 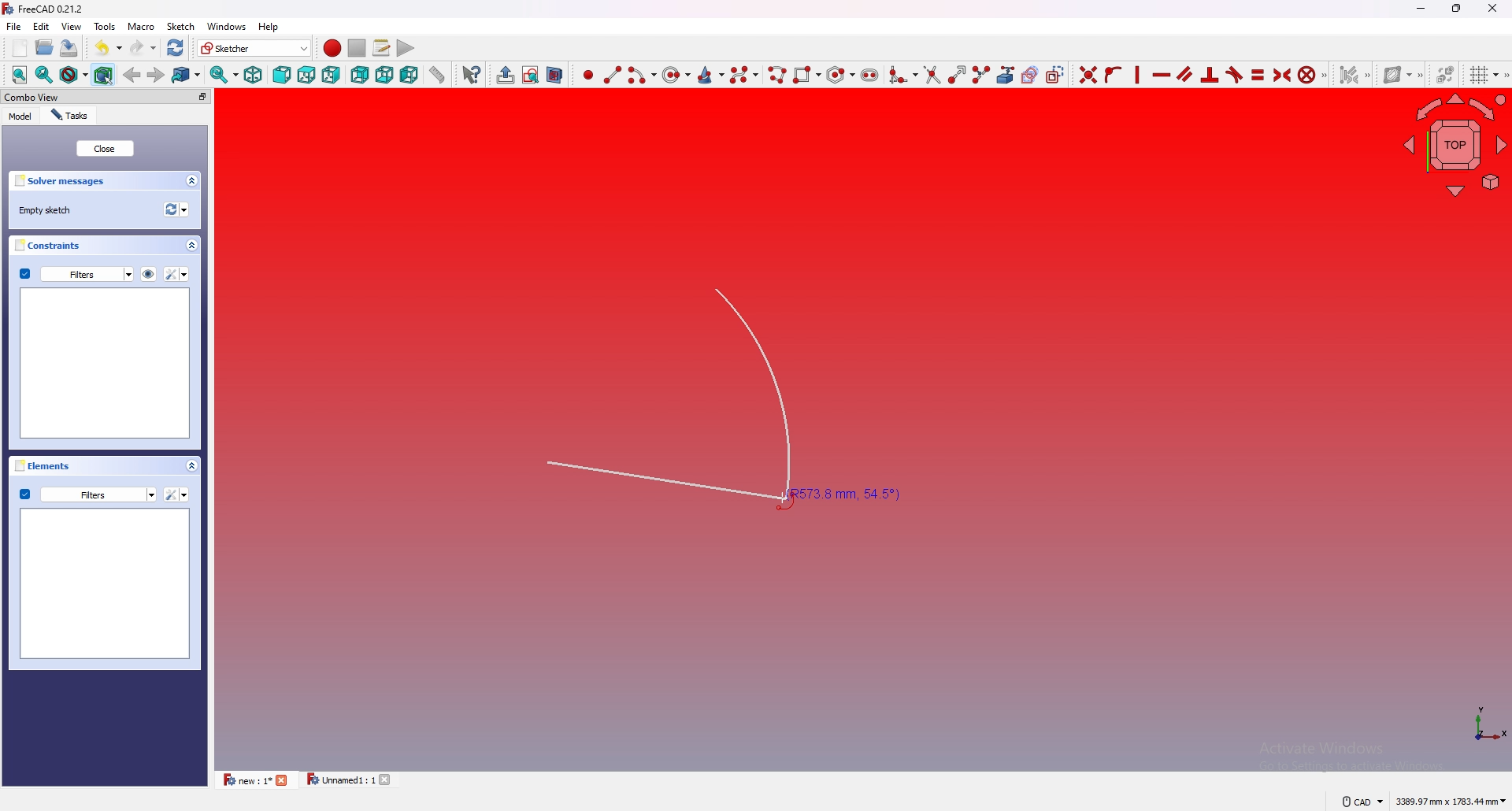 I want to click on Unnamed1 : 1, so click(x=339, y=780).